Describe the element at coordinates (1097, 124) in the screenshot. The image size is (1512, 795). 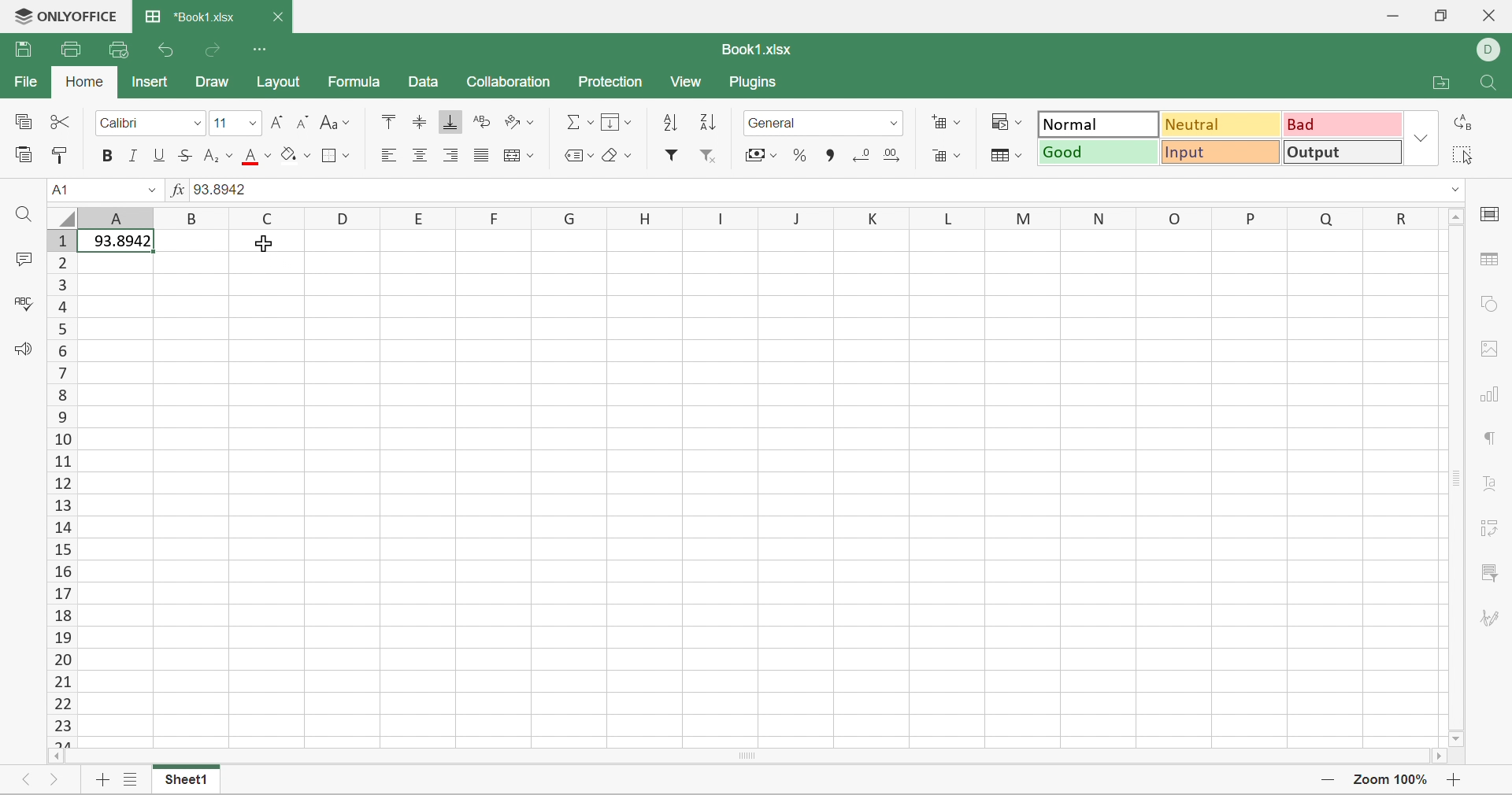
I see `Normal` at that location.